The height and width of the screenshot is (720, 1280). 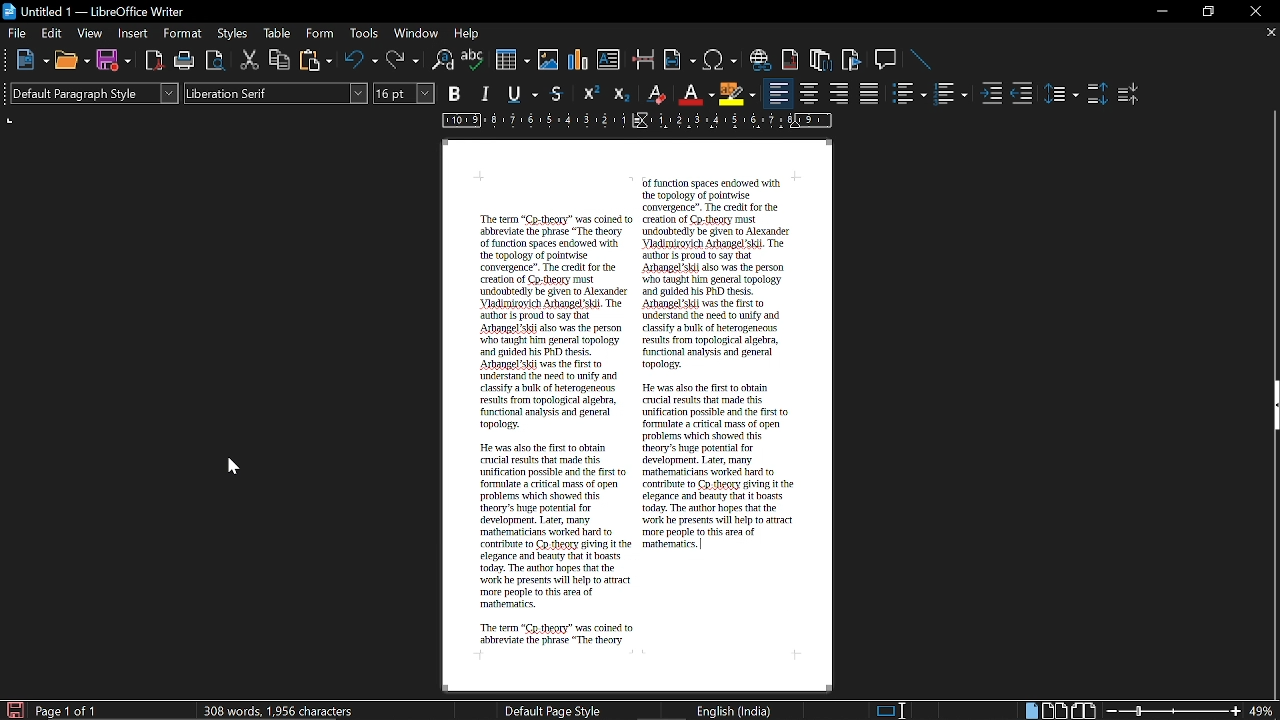 I want to click on File, so click(x=17, y=33).